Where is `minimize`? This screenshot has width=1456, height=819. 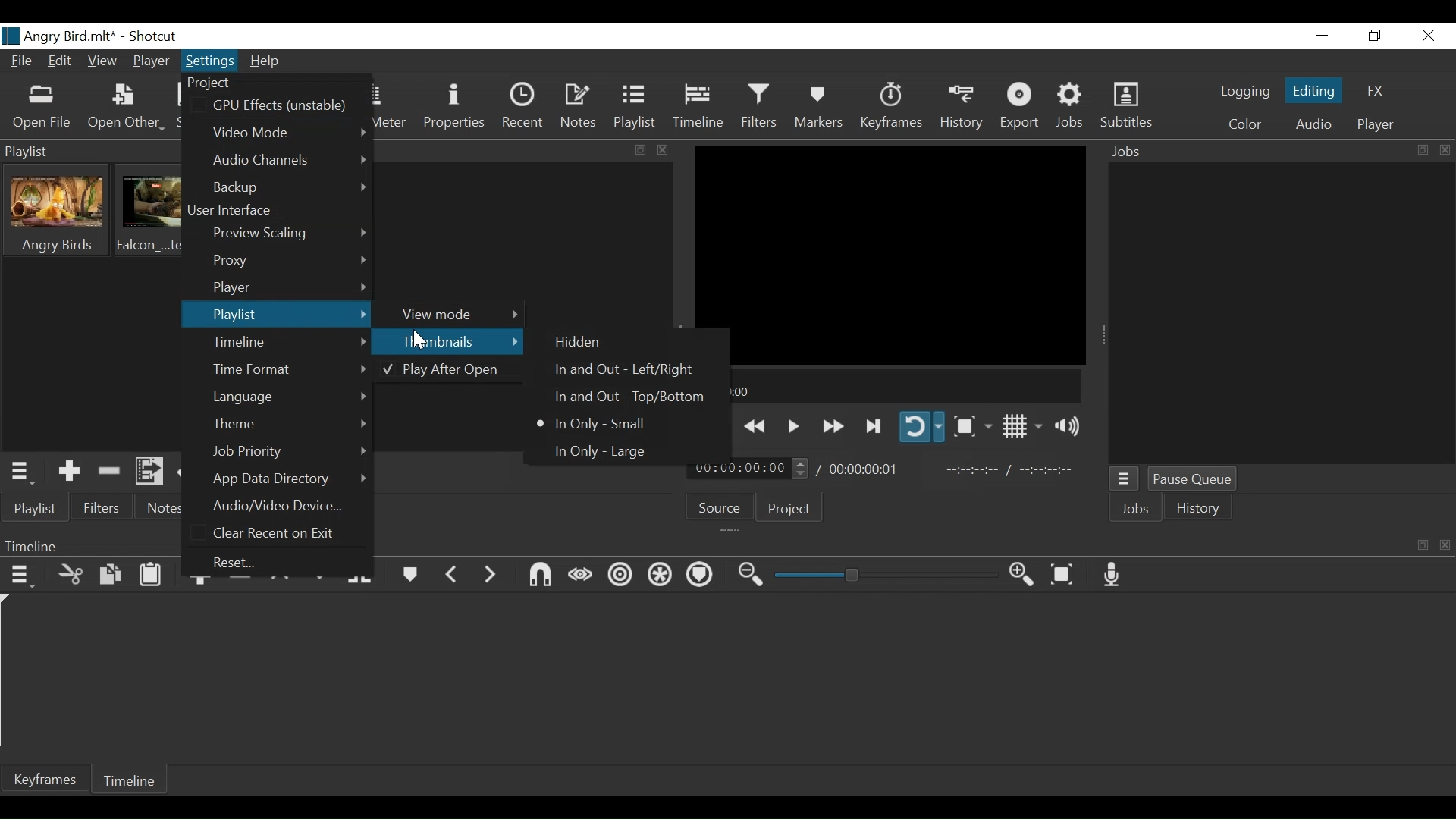 minimize is located at coordinates (1323, 36).